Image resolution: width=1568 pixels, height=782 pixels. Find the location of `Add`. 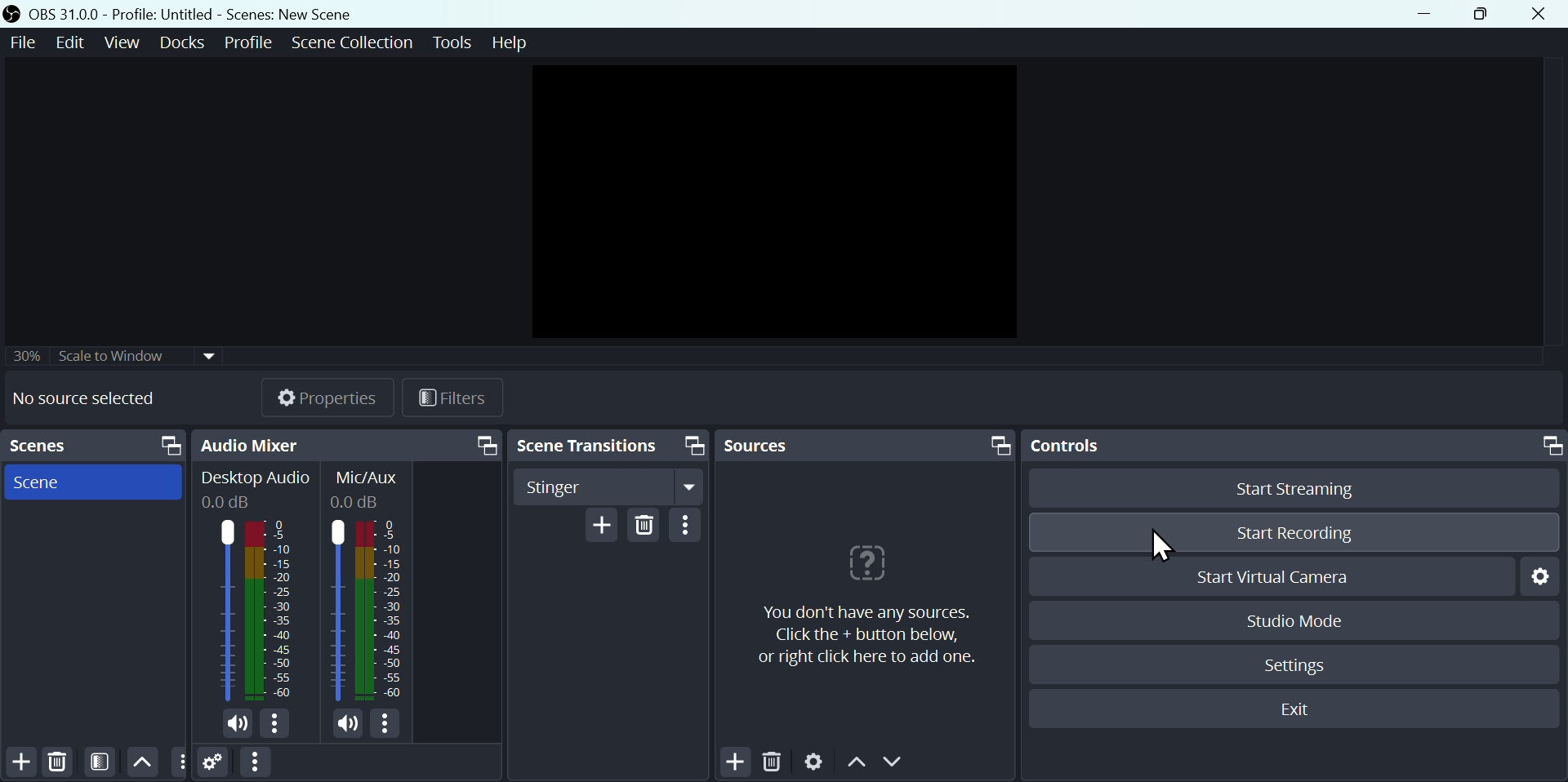

Add is located at coordinates (603, 527).